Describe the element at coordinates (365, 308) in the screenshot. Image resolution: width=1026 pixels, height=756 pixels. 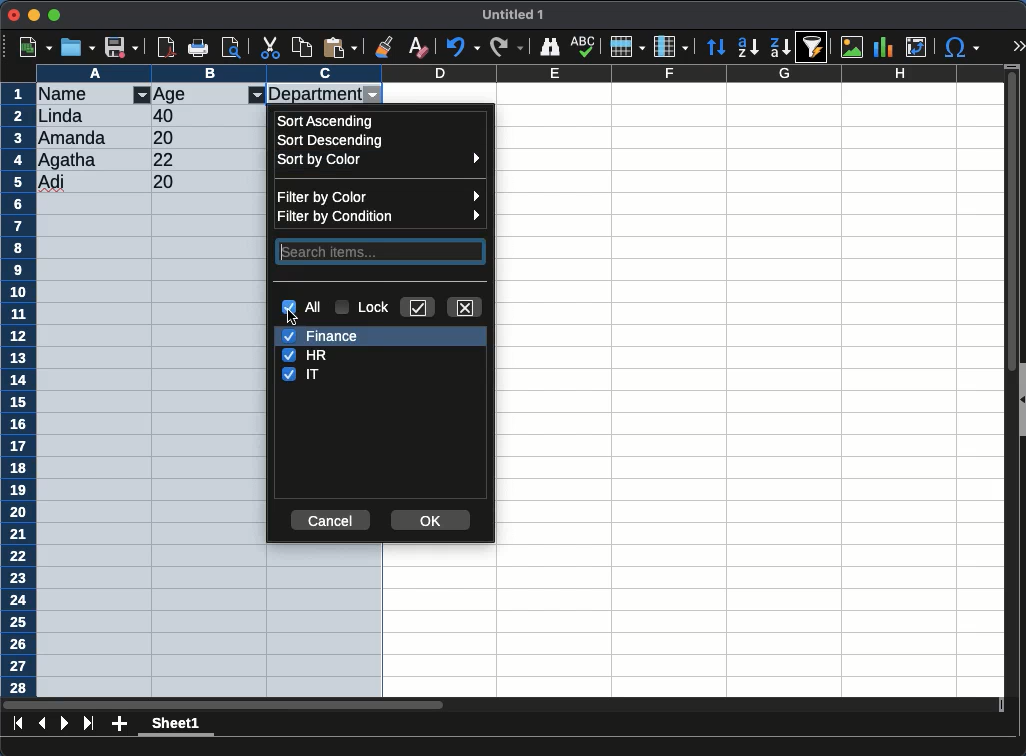
I see `lock` at that location.